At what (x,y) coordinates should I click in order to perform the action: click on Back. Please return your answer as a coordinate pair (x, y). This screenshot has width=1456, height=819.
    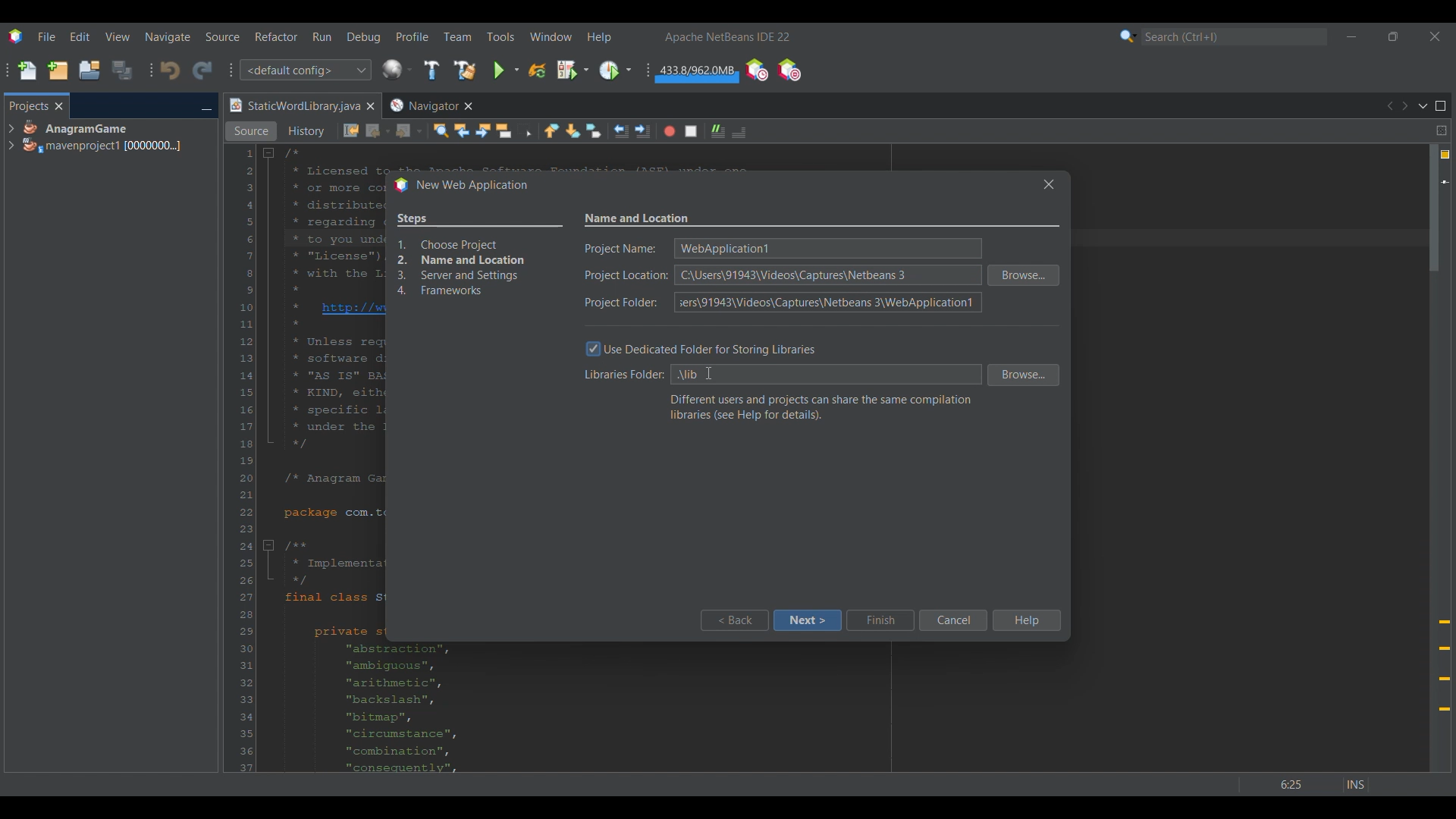
    Looking at the image, I should click on (733, 620).